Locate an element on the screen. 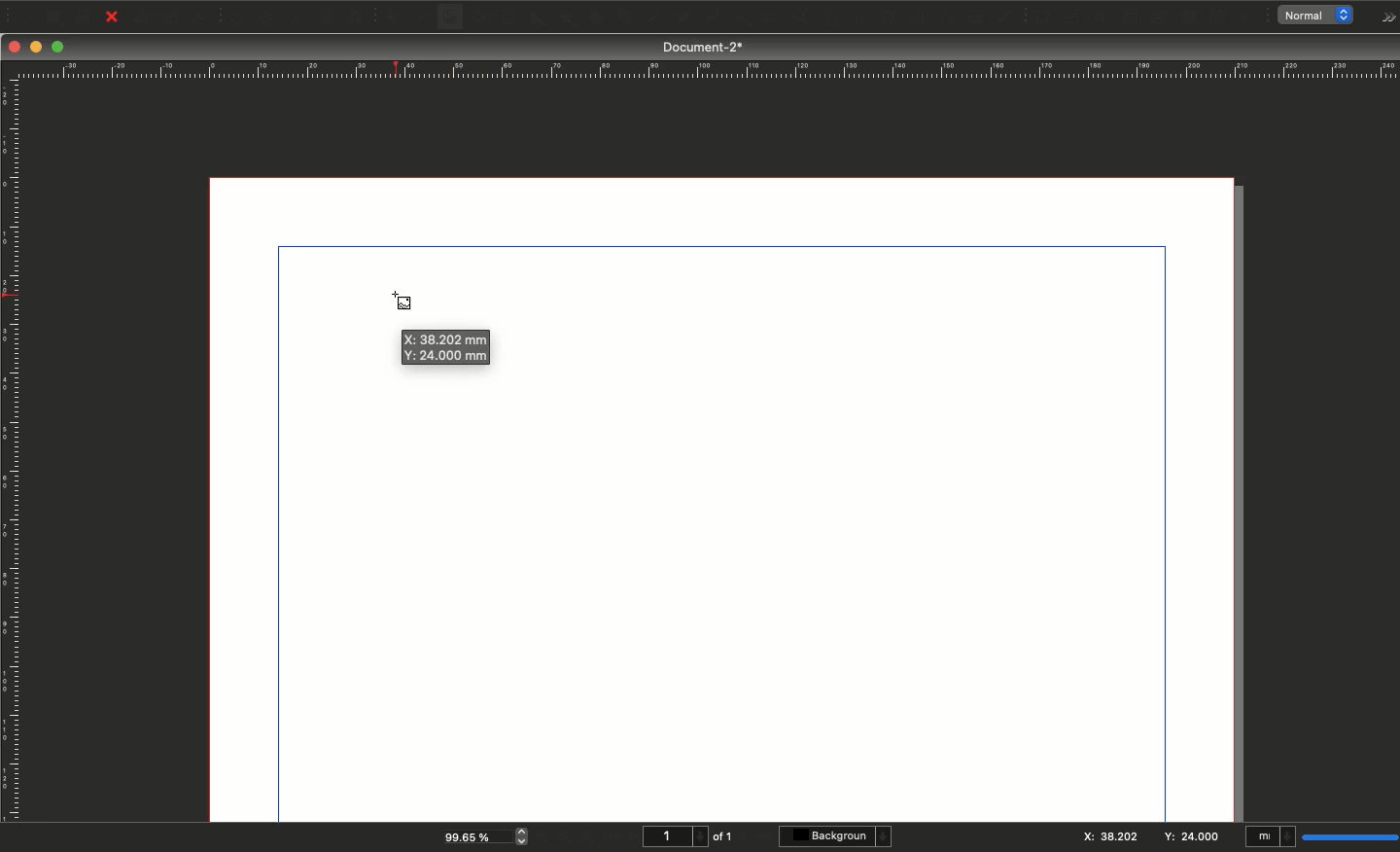  Edit text with story editor is located at coordinates (841, 18).